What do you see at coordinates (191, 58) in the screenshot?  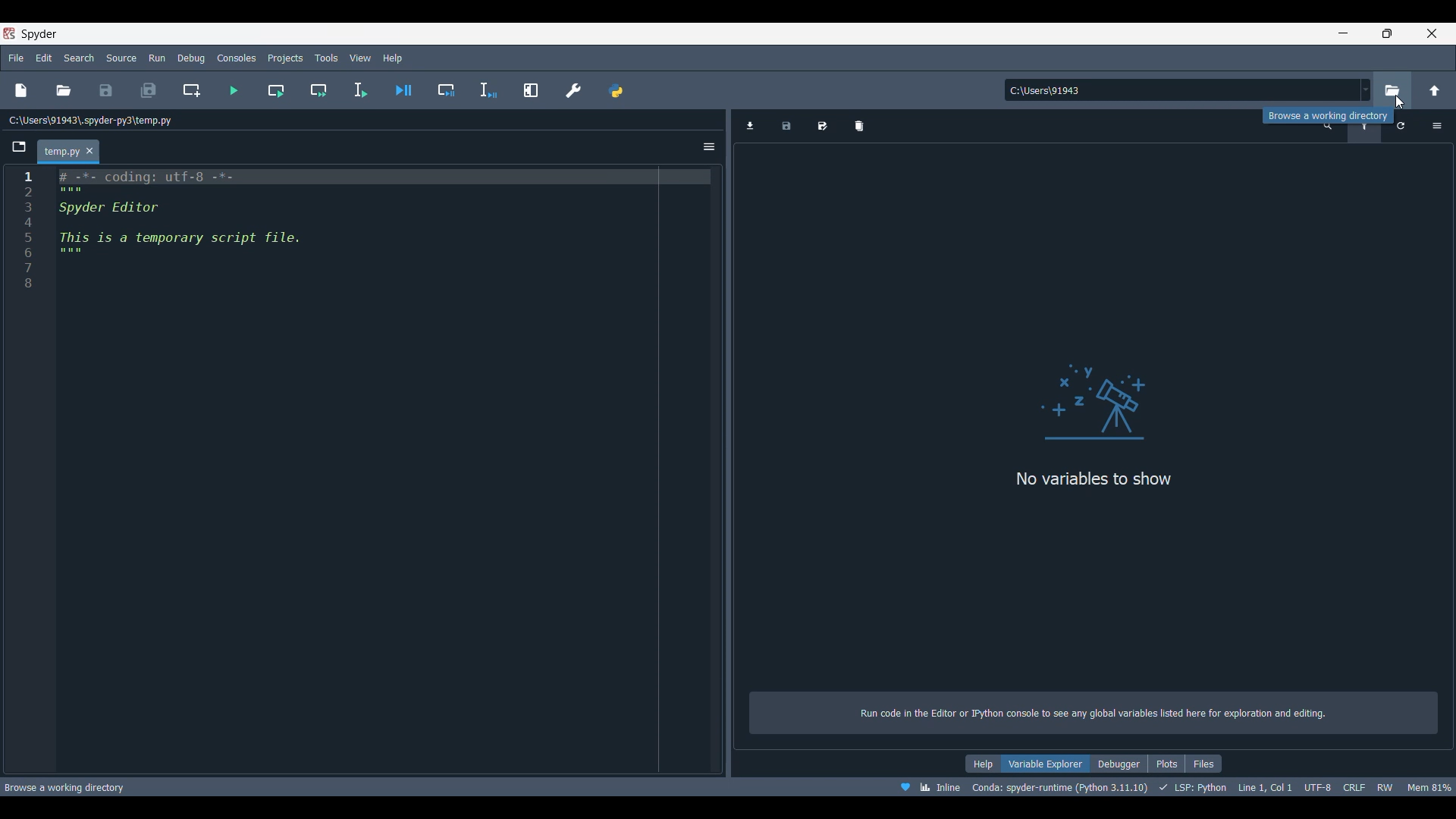 I see `Debug menu` at bounding box center [191, 58].